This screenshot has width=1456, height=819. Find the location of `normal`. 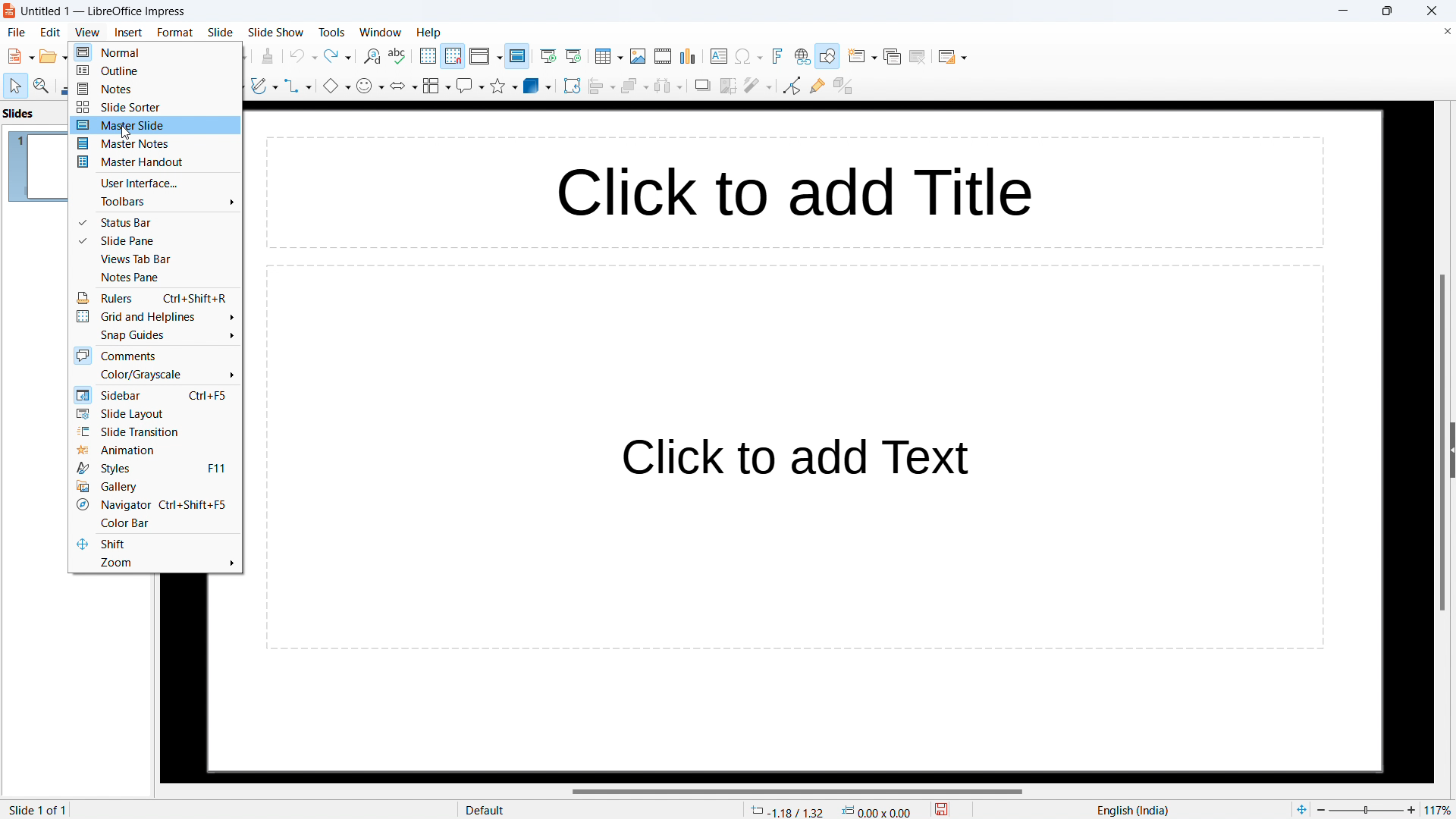

normal is located at coordinates (155, 52).